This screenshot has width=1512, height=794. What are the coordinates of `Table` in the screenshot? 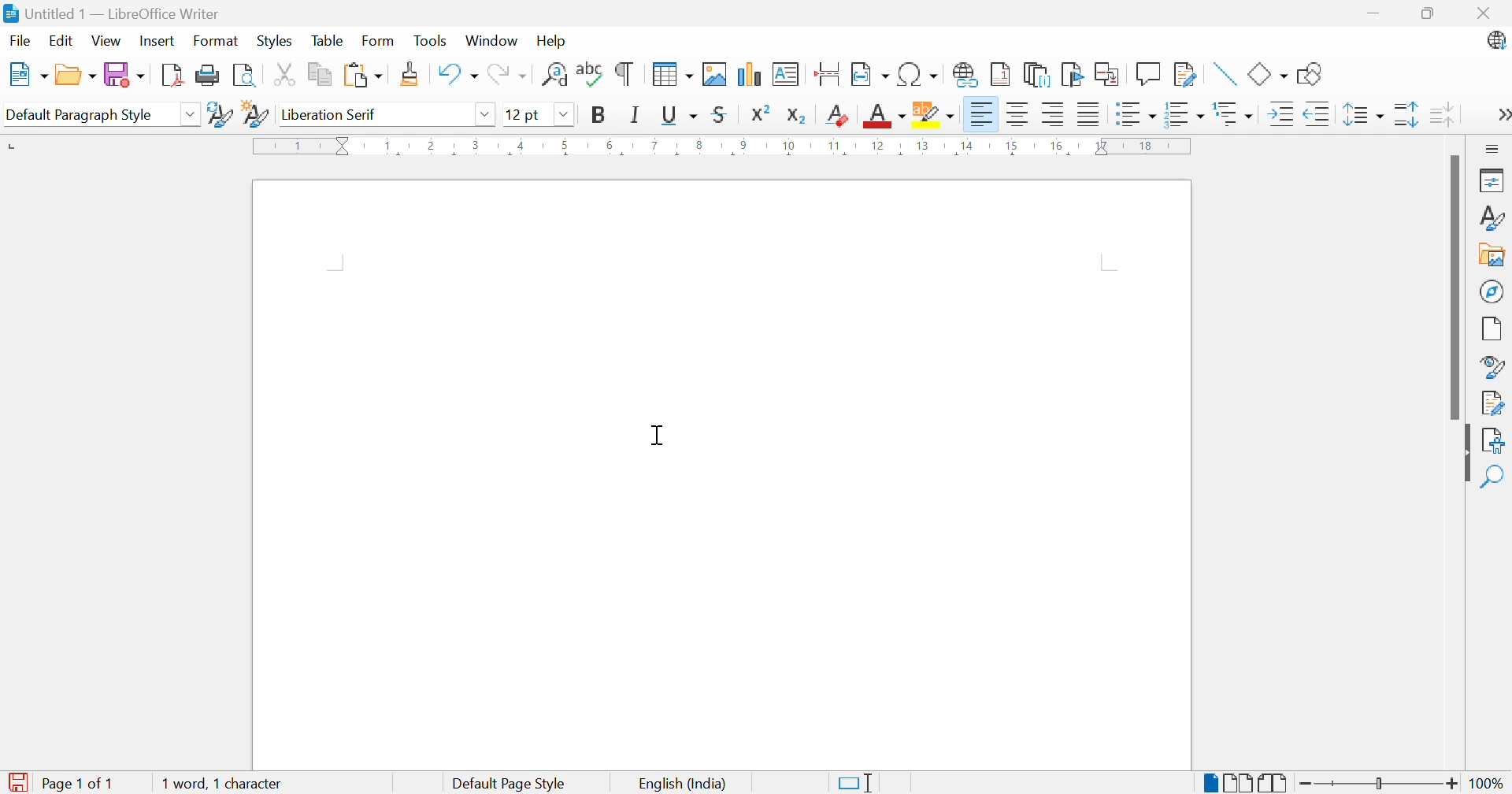 It's located at (330, 41).